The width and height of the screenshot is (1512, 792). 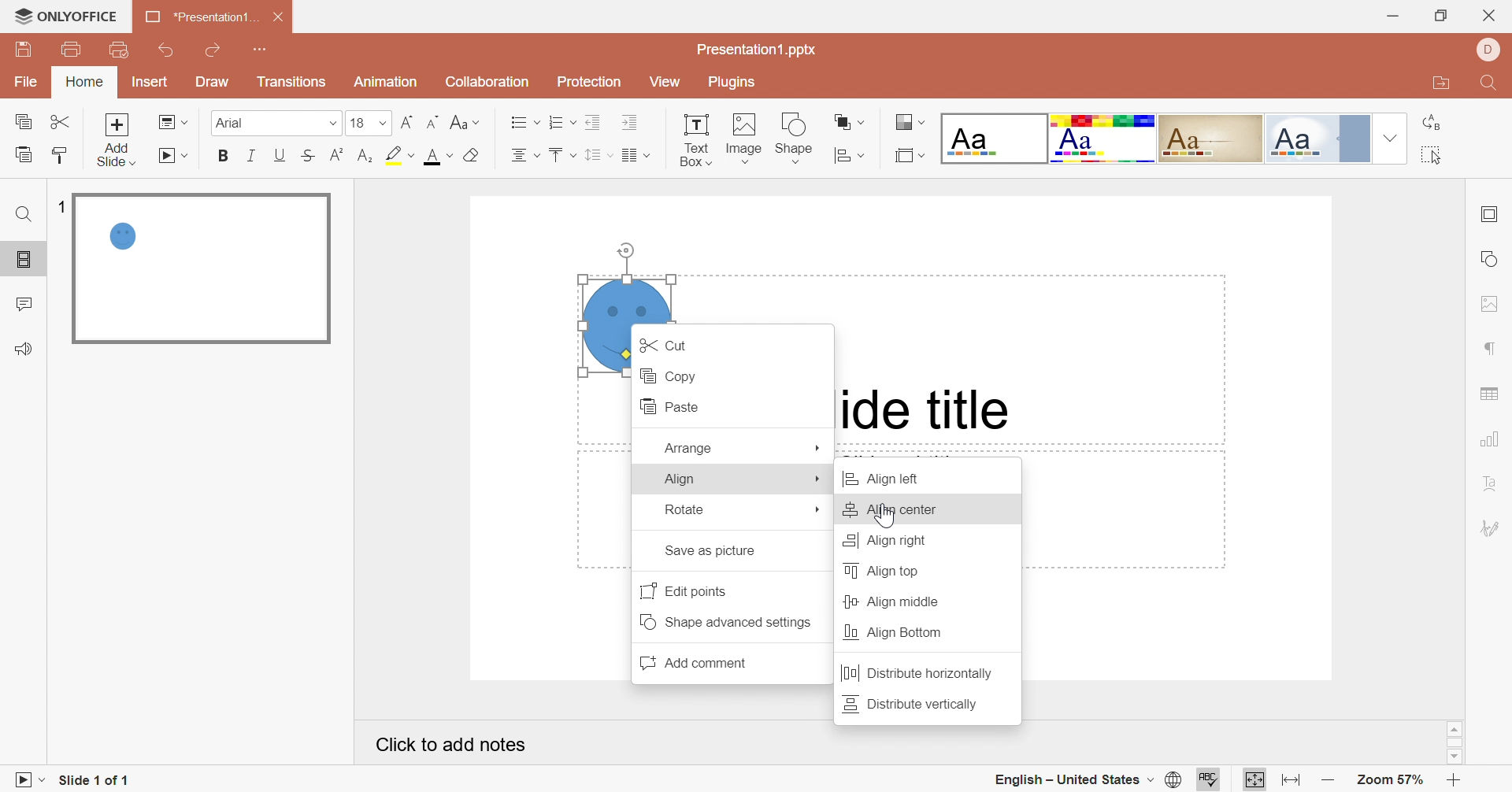 I want to click on Start slideshow, so click(x=23, y=779).